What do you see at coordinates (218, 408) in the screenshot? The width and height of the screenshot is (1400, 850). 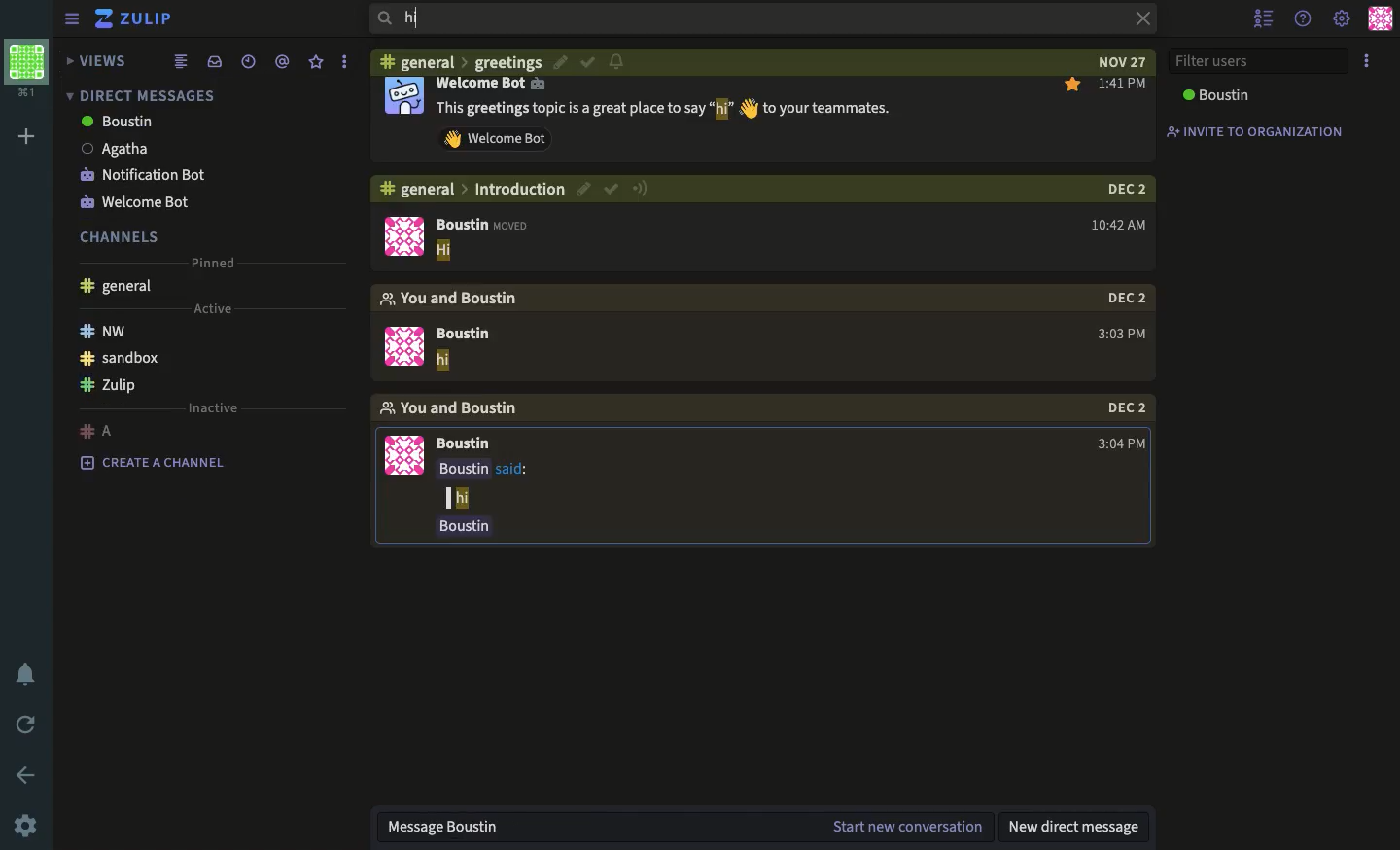 I see `inactive` at bounding box center [218, 408].